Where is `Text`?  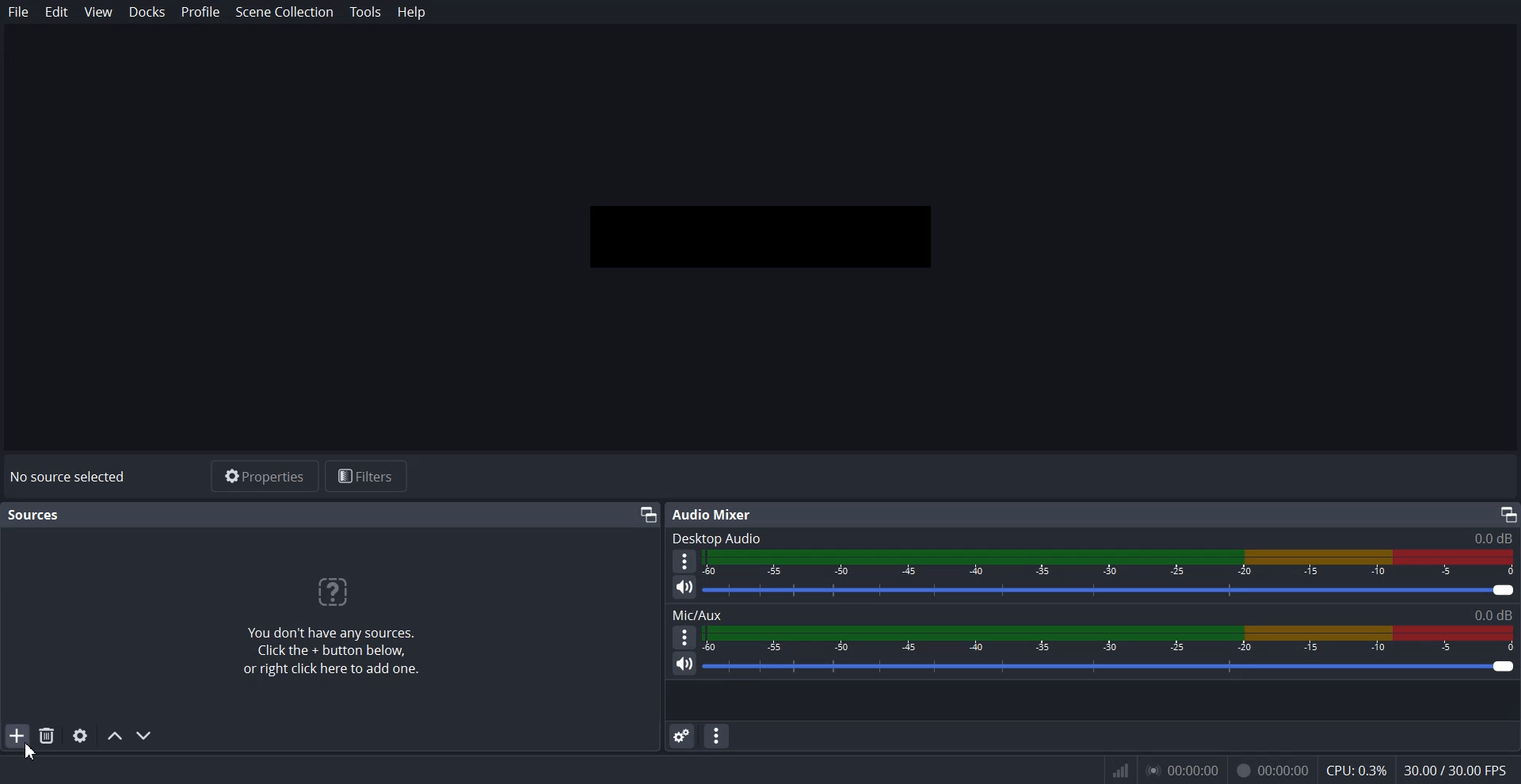
Text is located at coordinates (711, 515).